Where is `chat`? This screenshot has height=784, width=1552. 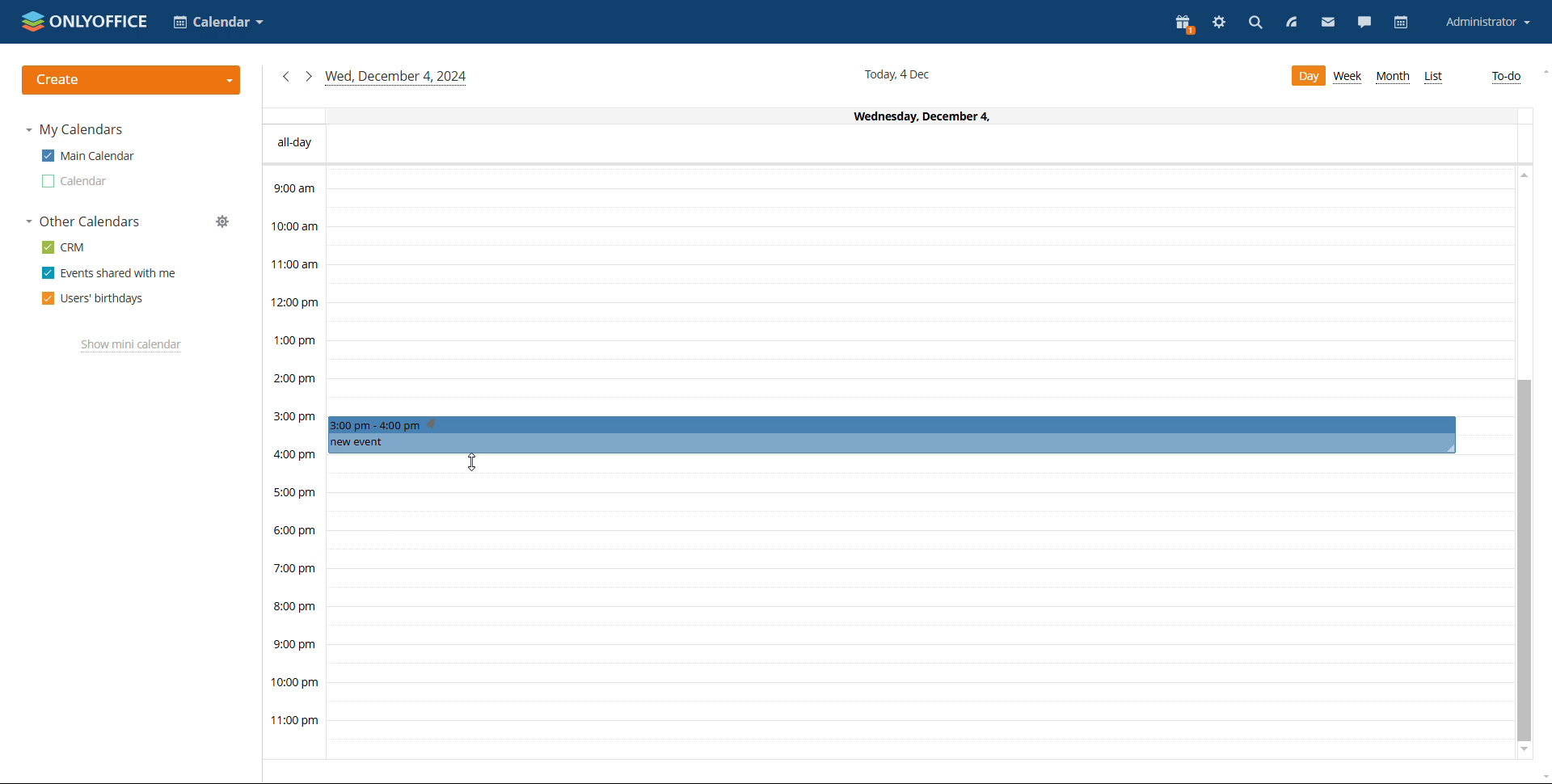
chat is located at coordinates (1365, 22).